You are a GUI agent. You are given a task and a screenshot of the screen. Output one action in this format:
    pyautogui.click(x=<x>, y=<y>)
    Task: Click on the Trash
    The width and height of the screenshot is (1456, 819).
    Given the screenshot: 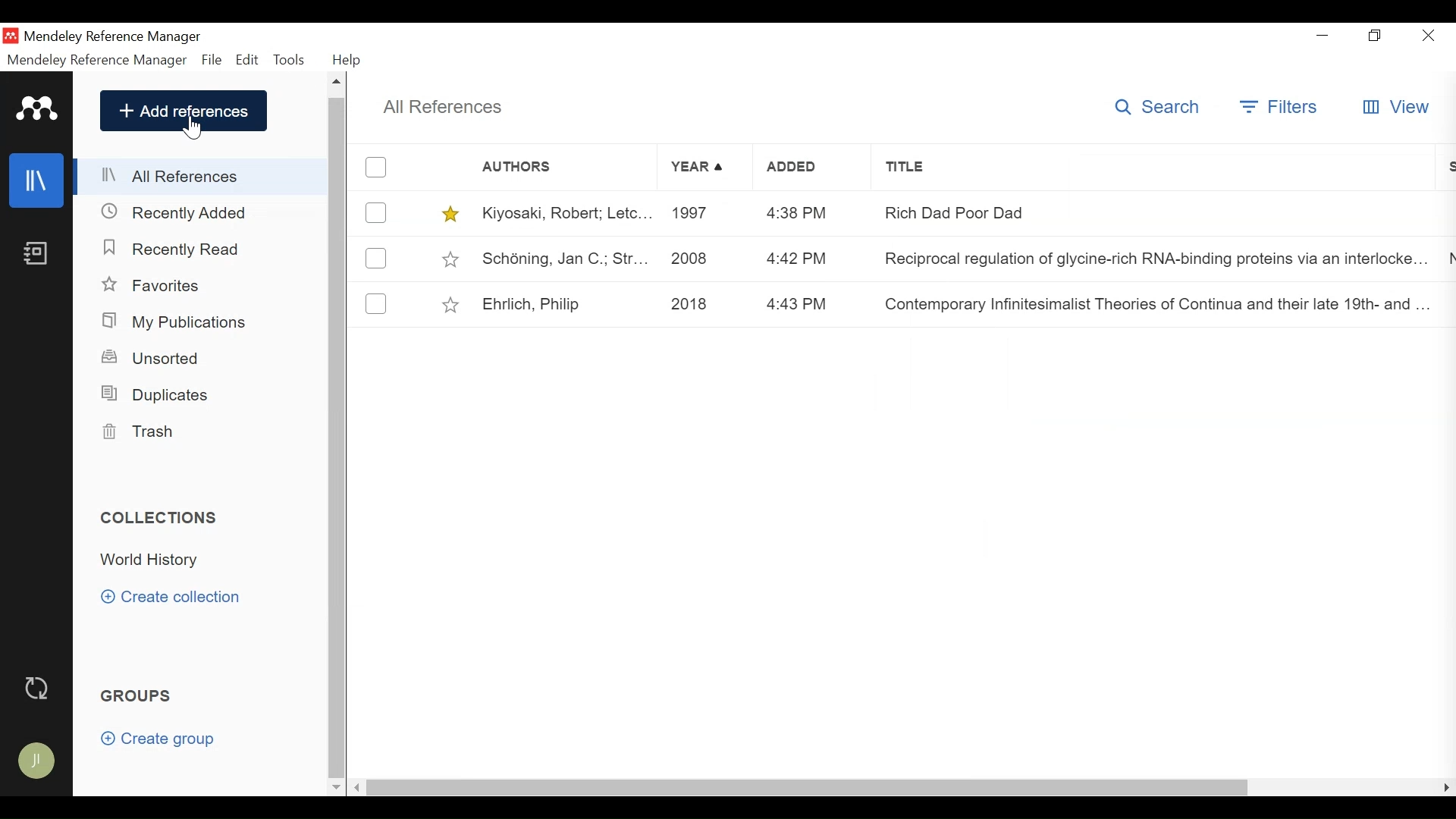 What is the action you would take?
    pyautogui.click(x=144, y=431)
    